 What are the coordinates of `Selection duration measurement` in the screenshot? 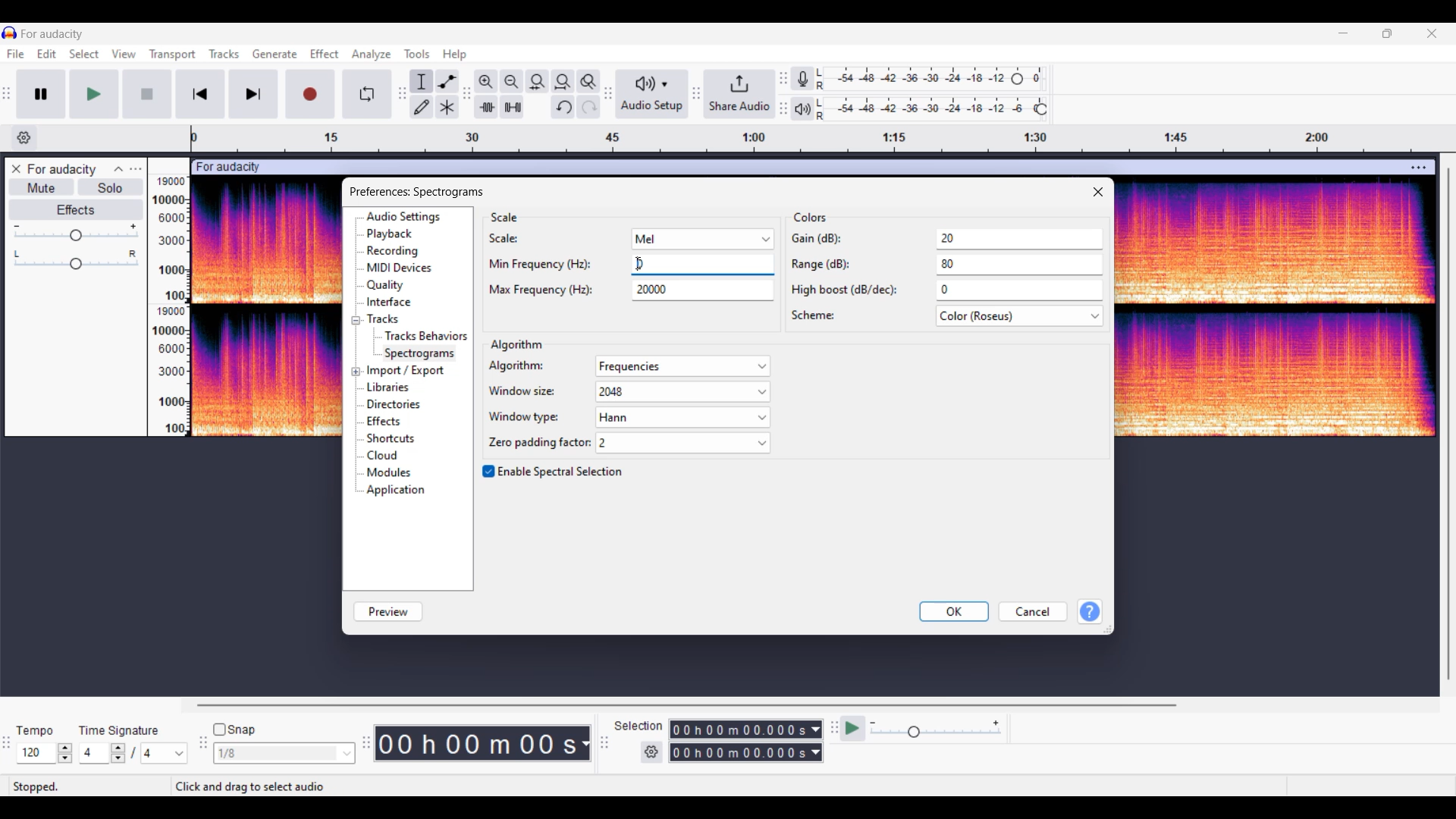 It's located at (816, 741).